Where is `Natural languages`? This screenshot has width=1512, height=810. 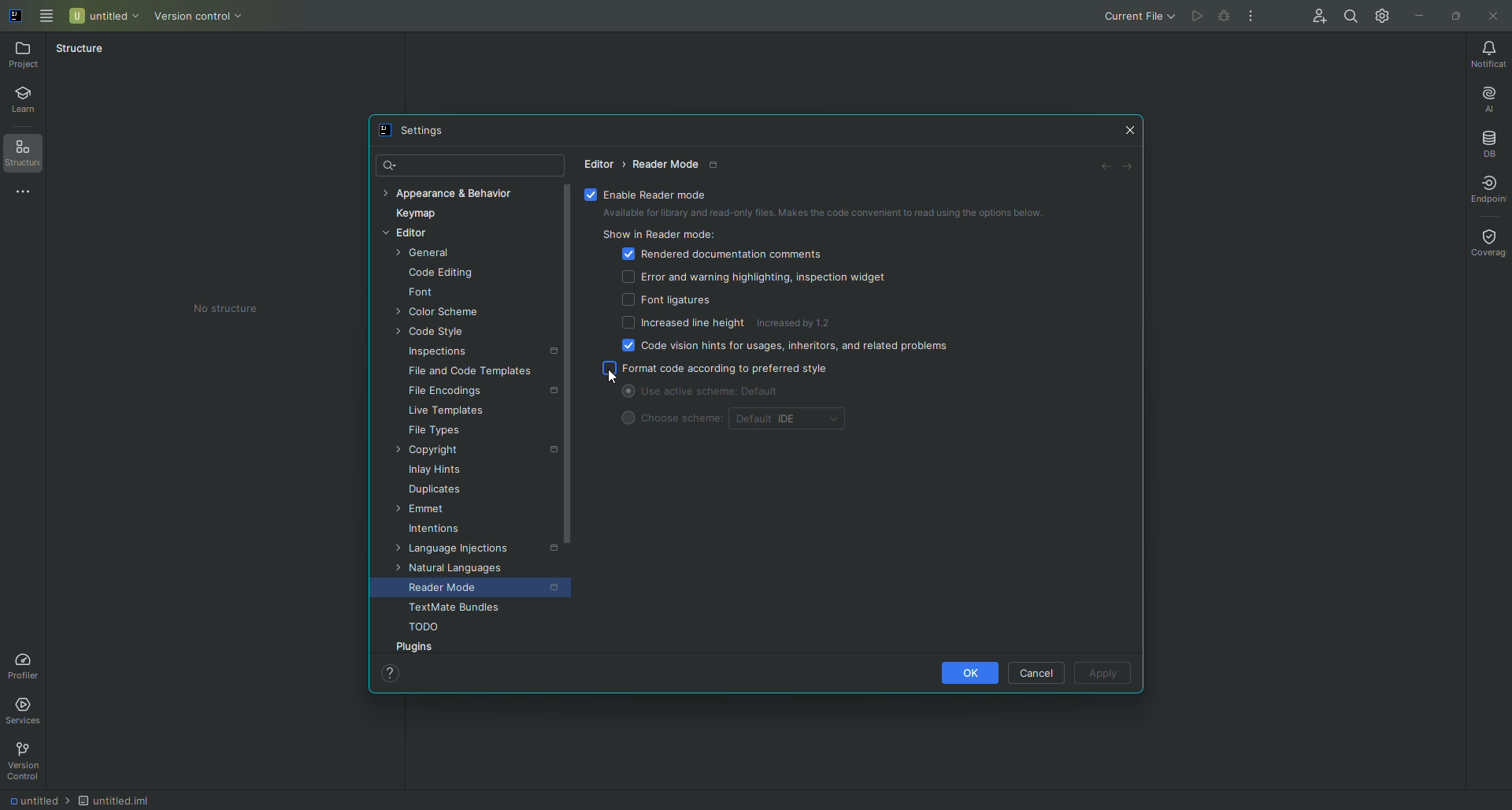
Natural languages is located at coordinates (446, 570).